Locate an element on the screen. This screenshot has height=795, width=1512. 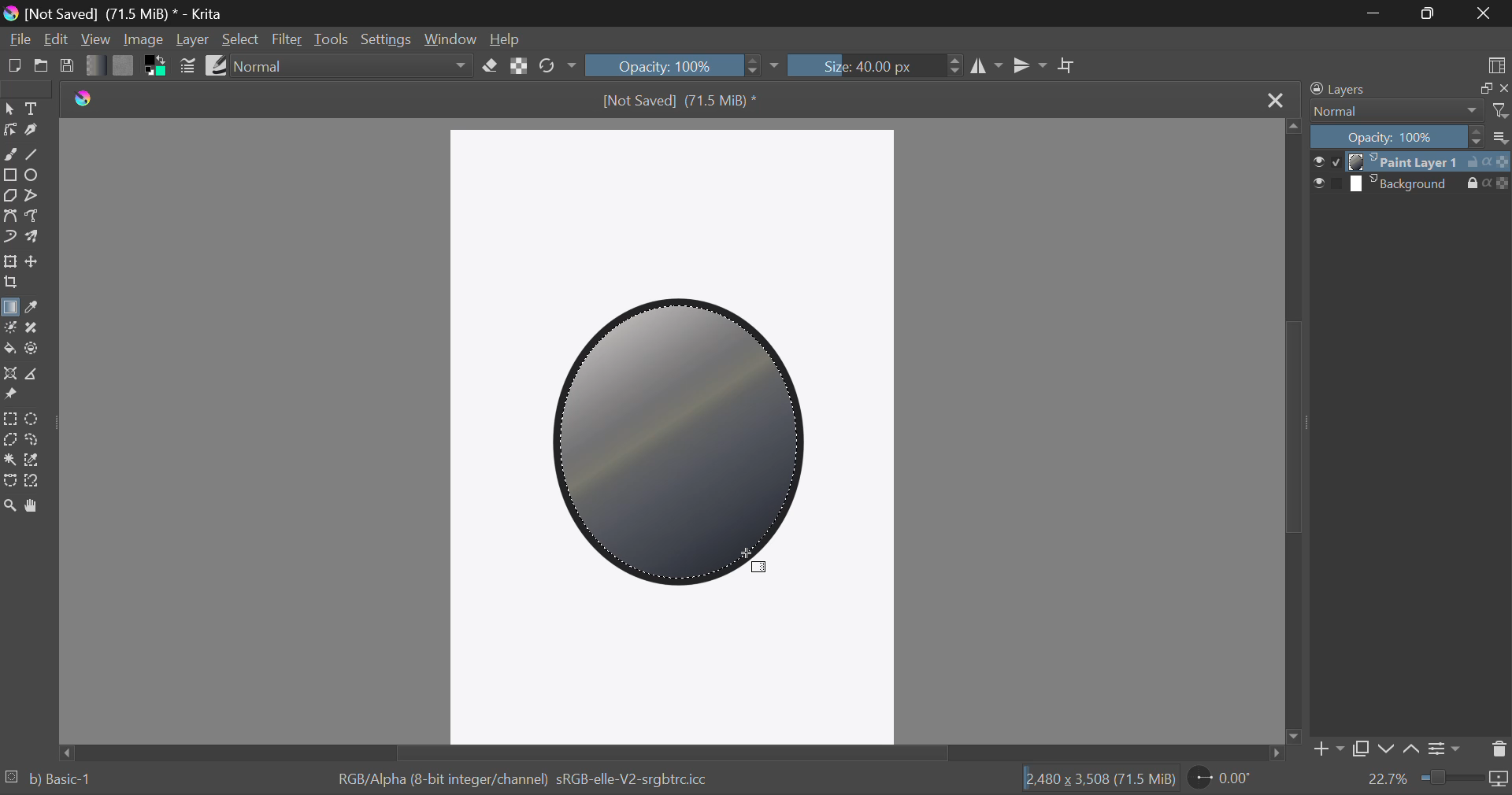
actions is located at coordinates (1488, 162).